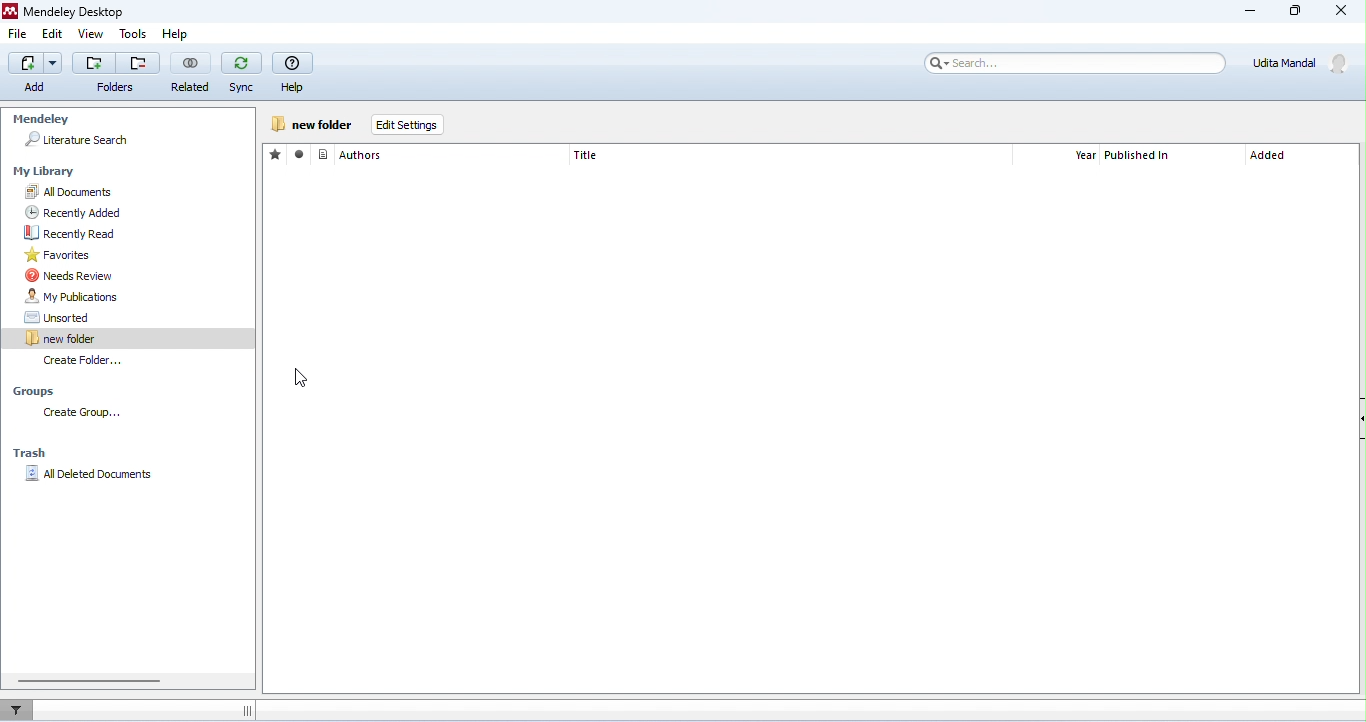 This screenshot has width=1366, height=722. Describe the element at coordinates (47, 172) in the screenshot. I see `my library` at that location.